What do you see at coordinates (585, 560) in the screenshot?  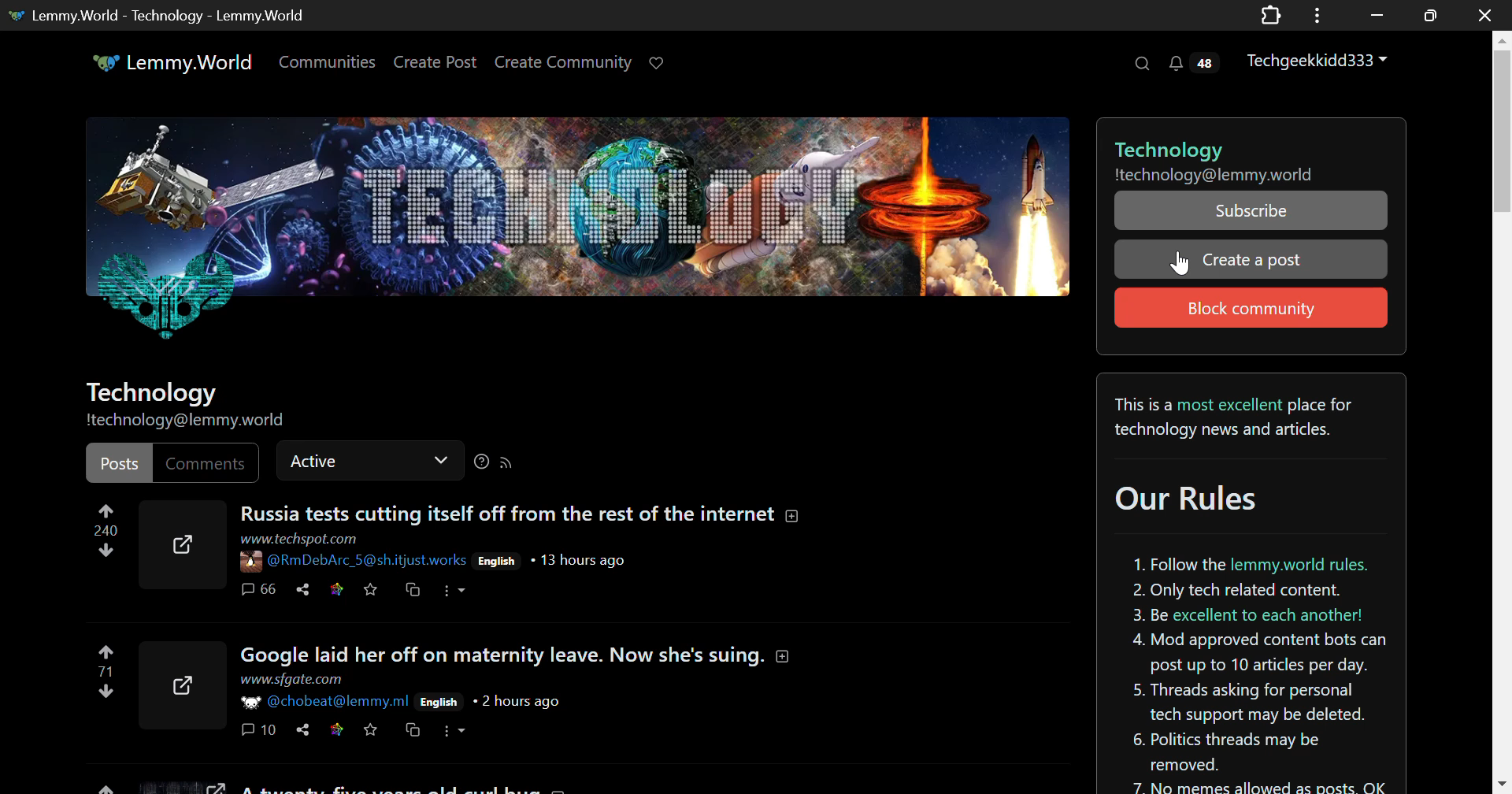 I see `13 hours ago` at bounding box center [585, 560].